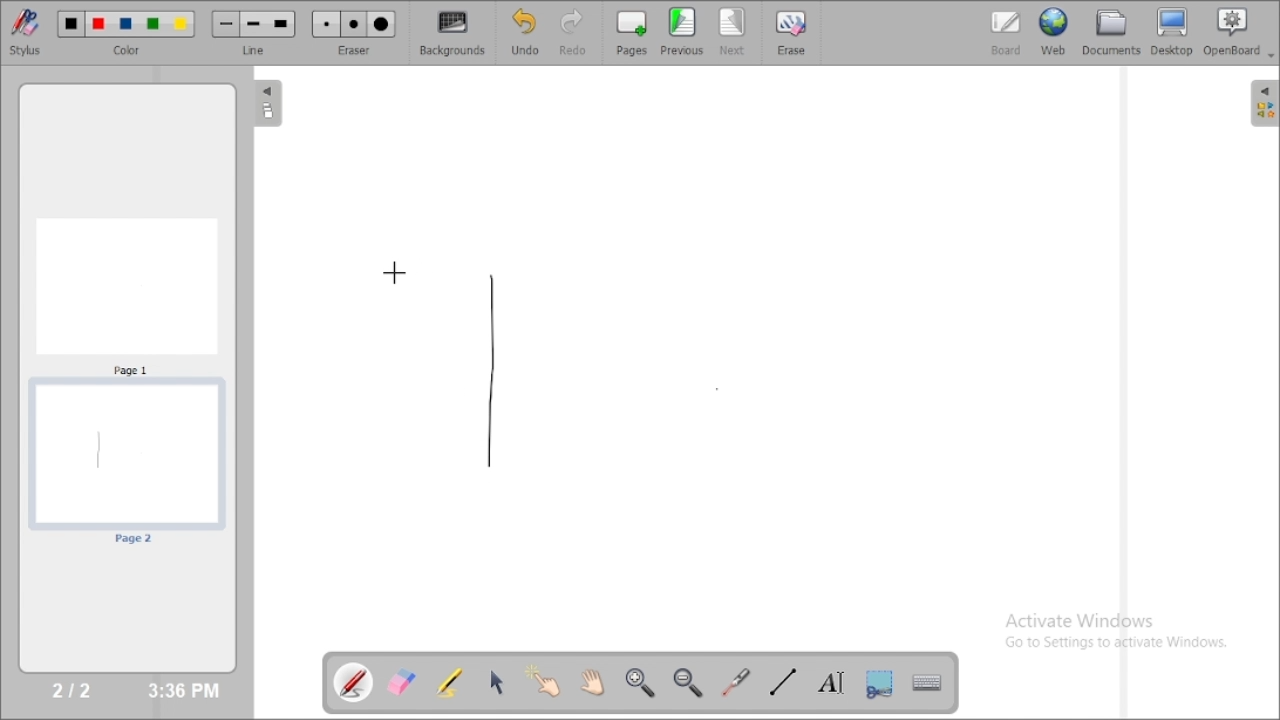 The image size is (1280, 720). Describe the element at coordinates (181, 24) in the screenshot. I see `Color 5` at that location.